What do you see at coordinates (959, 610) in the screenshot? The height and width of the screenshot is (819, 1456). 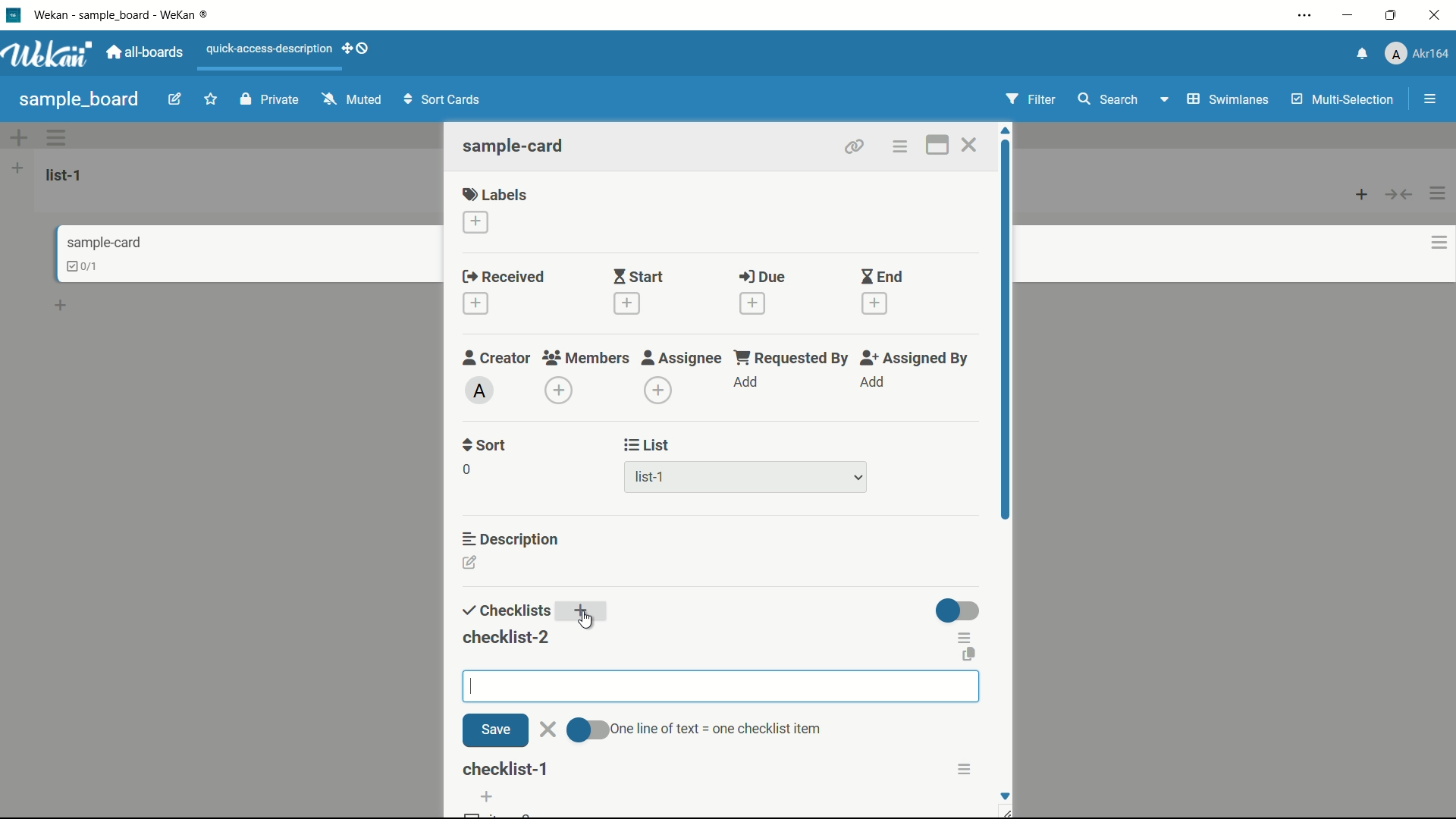 I see `toggle button` at bounding box center [959, 610].